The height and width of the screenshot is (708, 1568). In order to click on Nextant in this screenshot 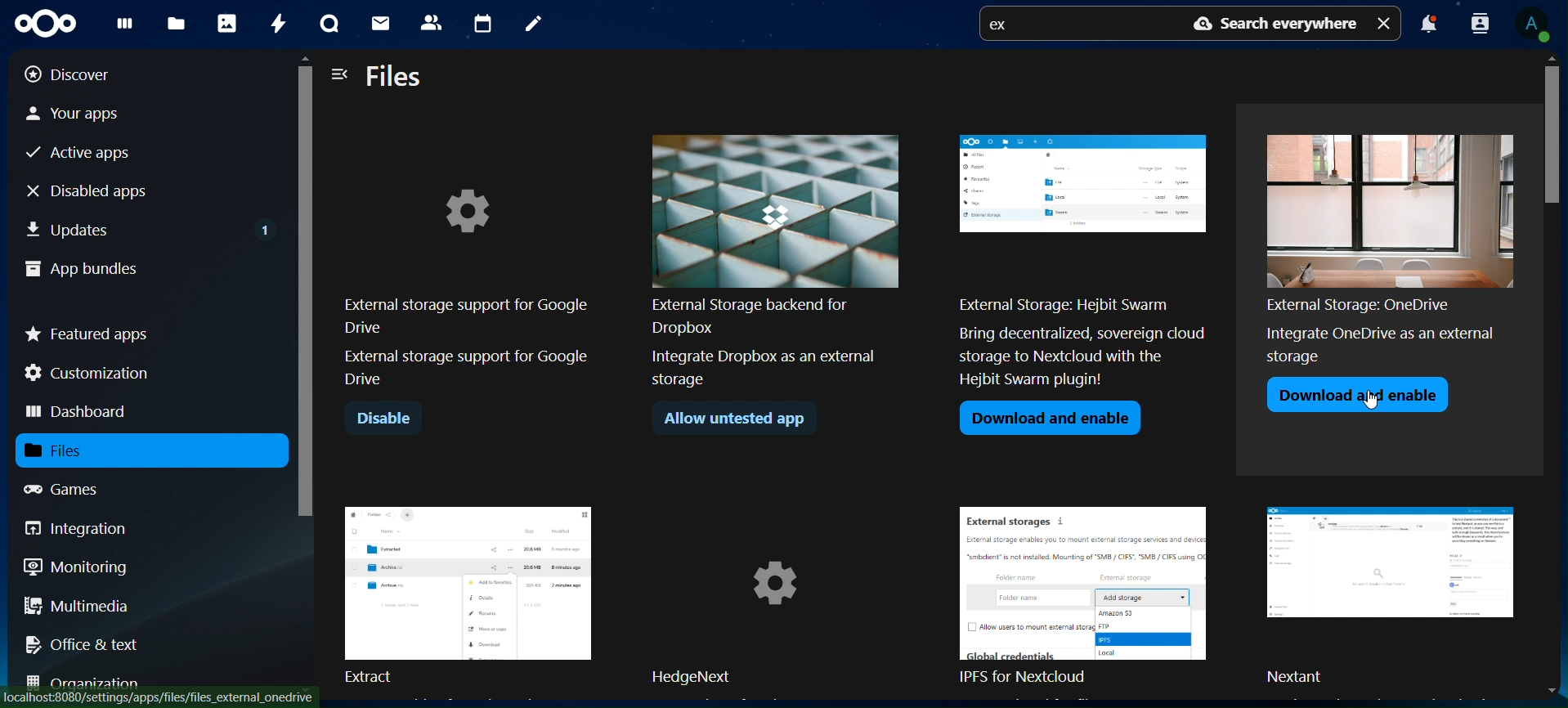, I will do `click(1396, 597)`.